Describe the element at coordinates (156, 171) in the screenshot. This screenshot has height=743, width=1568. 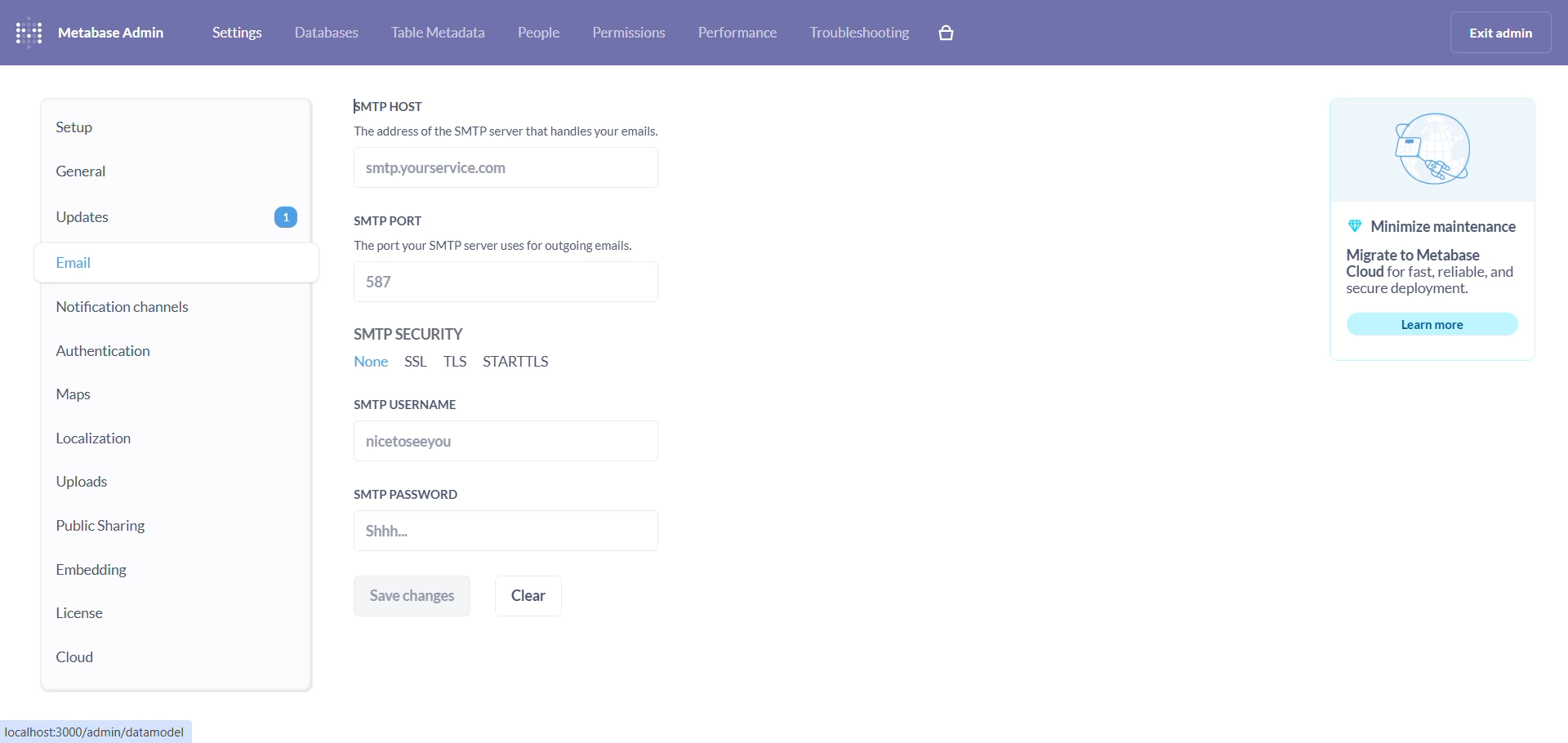
I see `general` at that location.